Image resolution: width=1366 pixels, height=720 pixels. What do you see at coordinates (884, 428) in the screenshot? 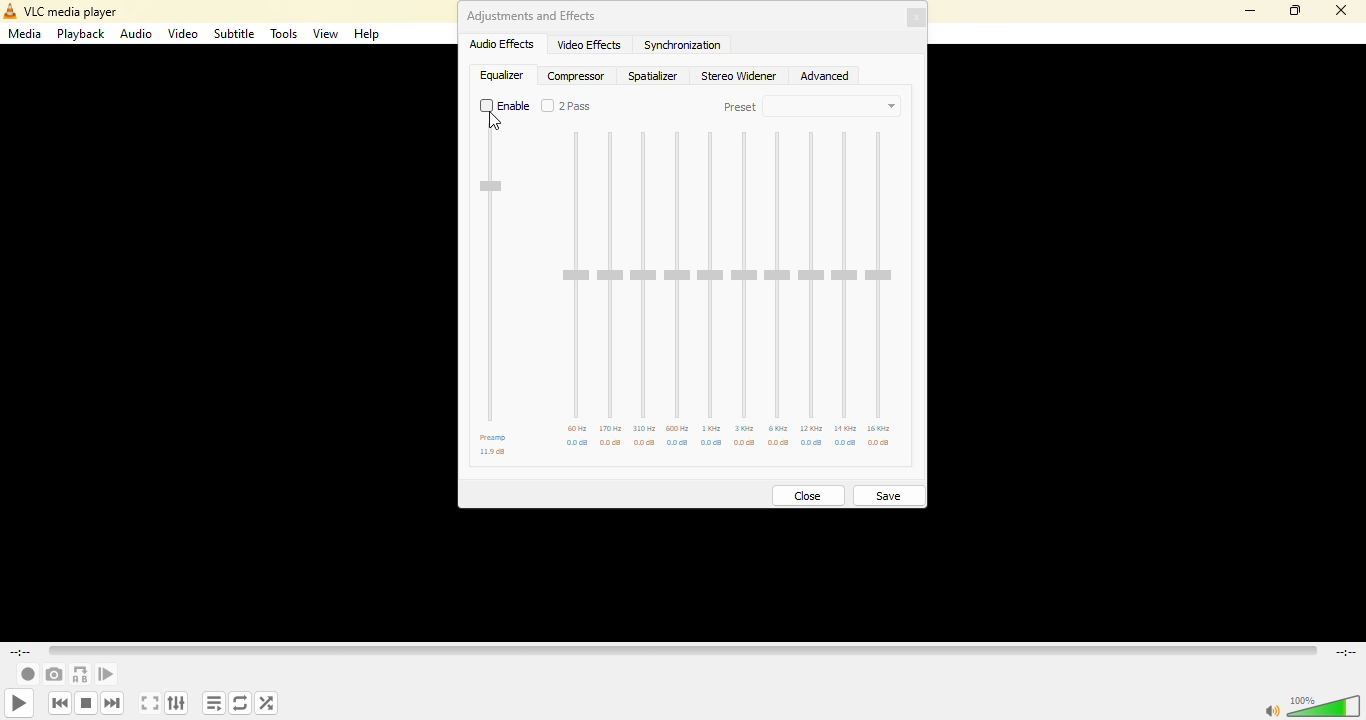
I see `16 khz` at bounding box center [884, 428].